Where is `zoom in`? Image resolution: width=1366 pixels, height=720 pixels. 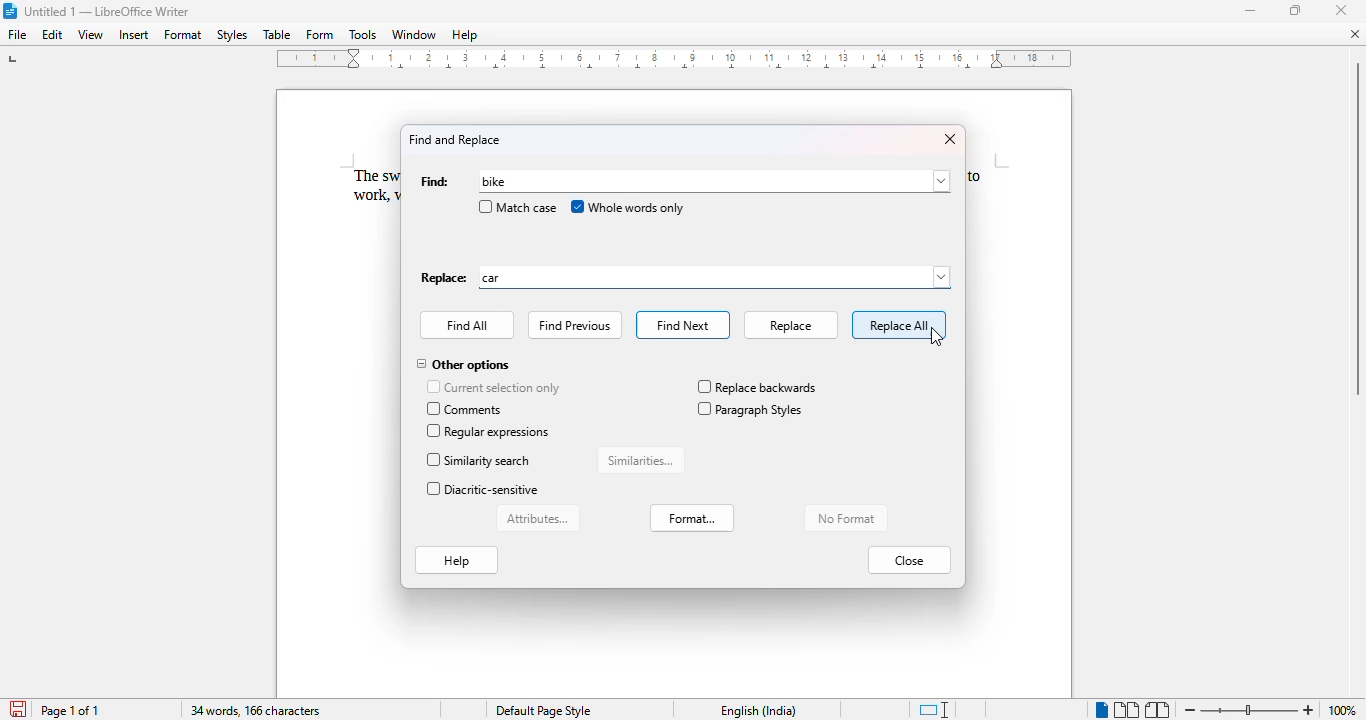 zoom in is located at coordinates (1309, 709).